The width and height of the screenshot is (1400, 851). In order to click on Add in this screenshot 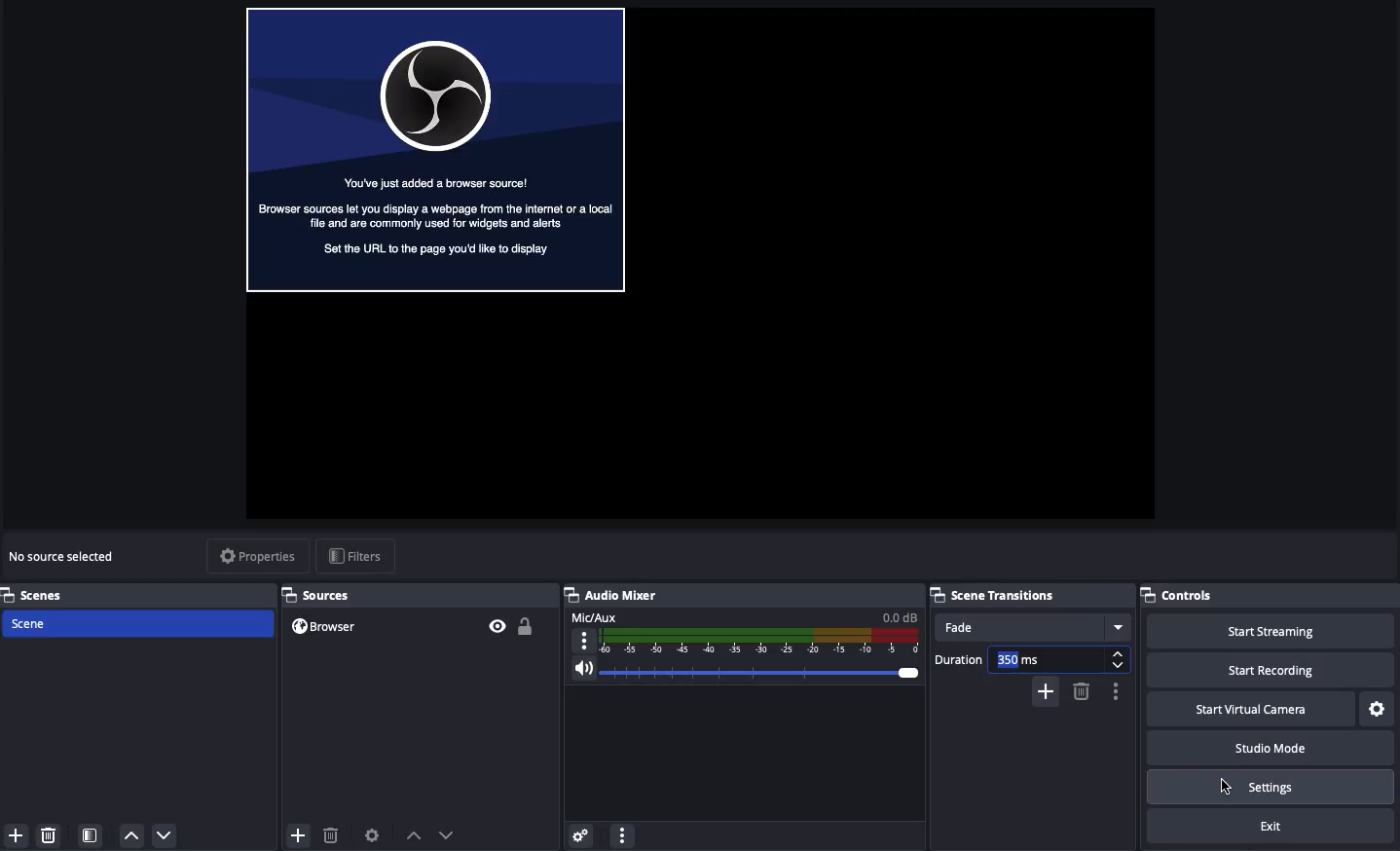, I will do `click(1045, 692)`.